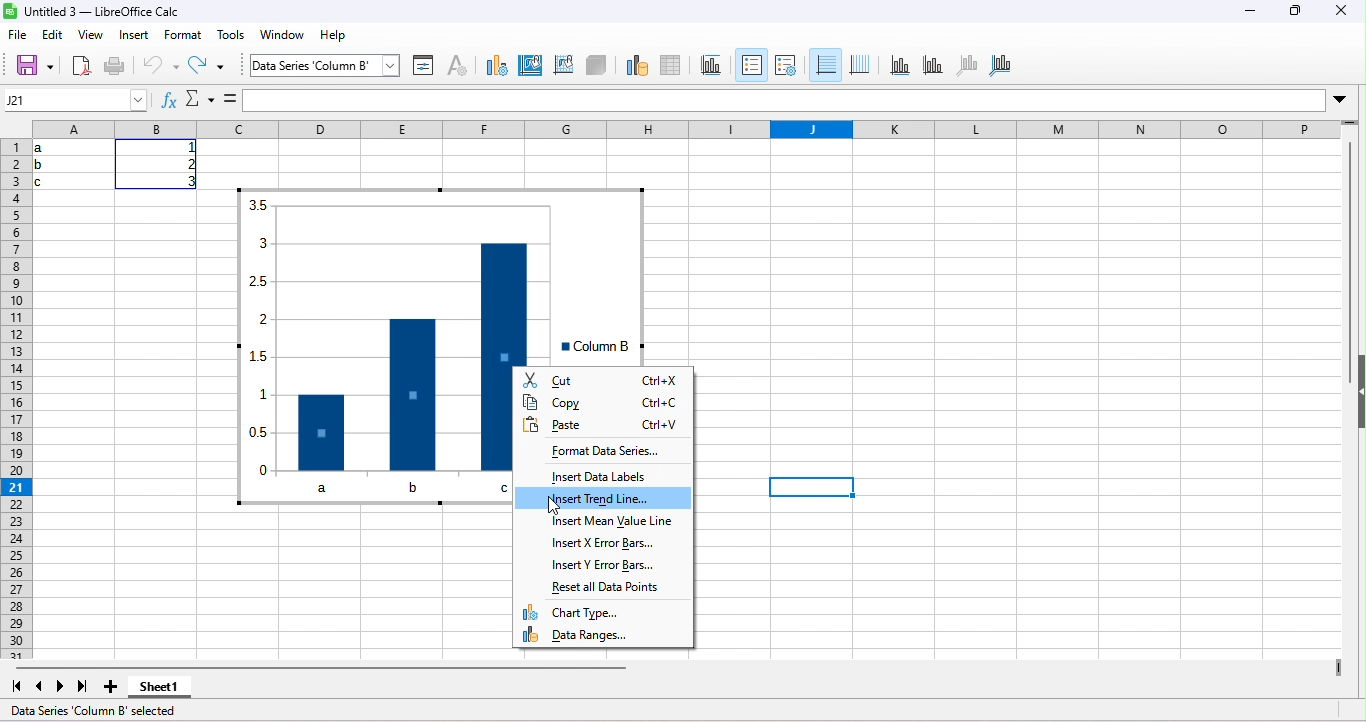 The width and height of the screenshot is (1366, 722). What do you see at coordinates (121, 167) in the screenshot?
I see `range of cells` at bounding box center [121, 167].